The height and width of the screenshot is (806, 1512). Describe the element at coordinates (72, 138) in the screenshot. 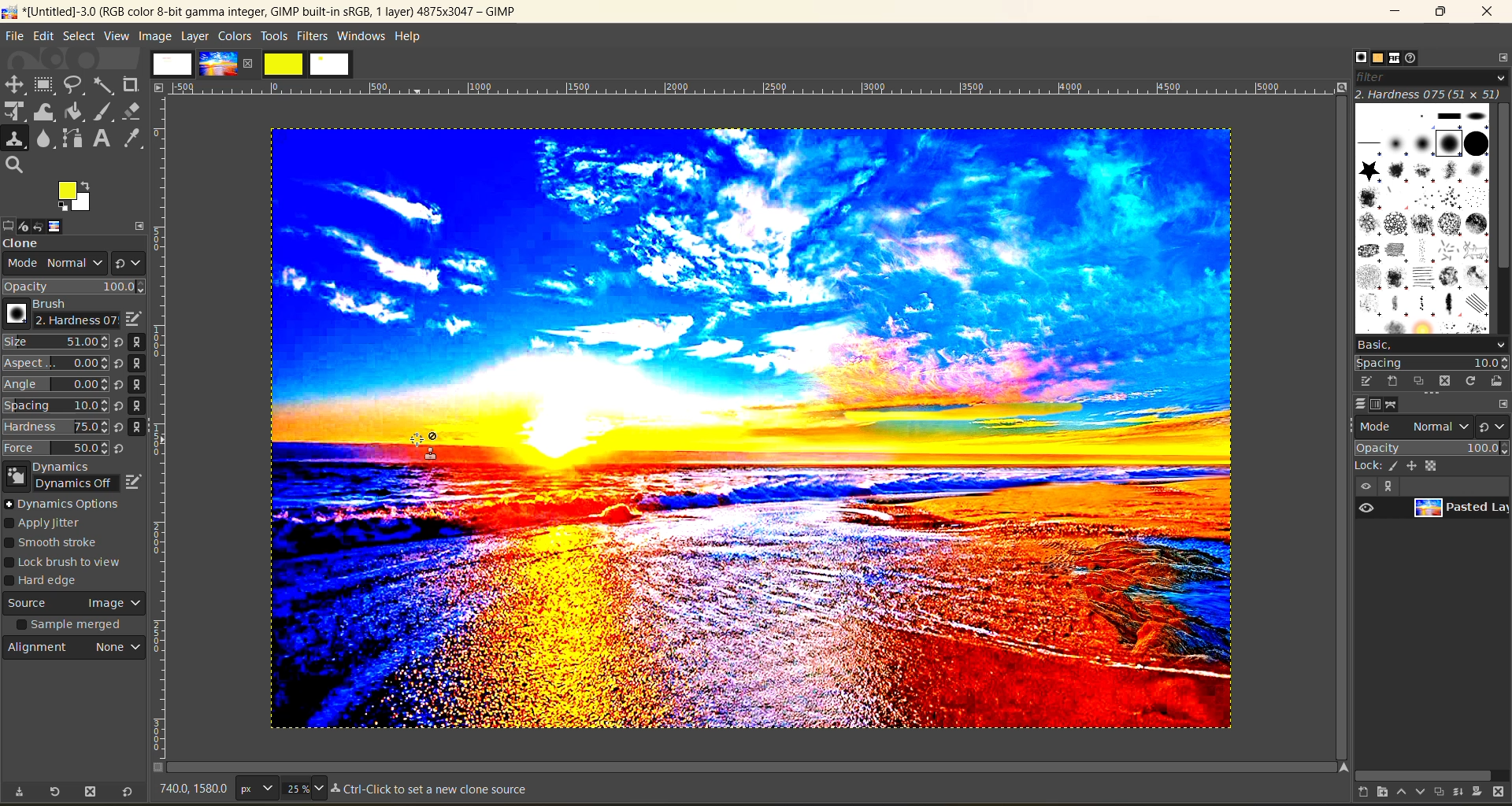

I see `path tool` at that location.